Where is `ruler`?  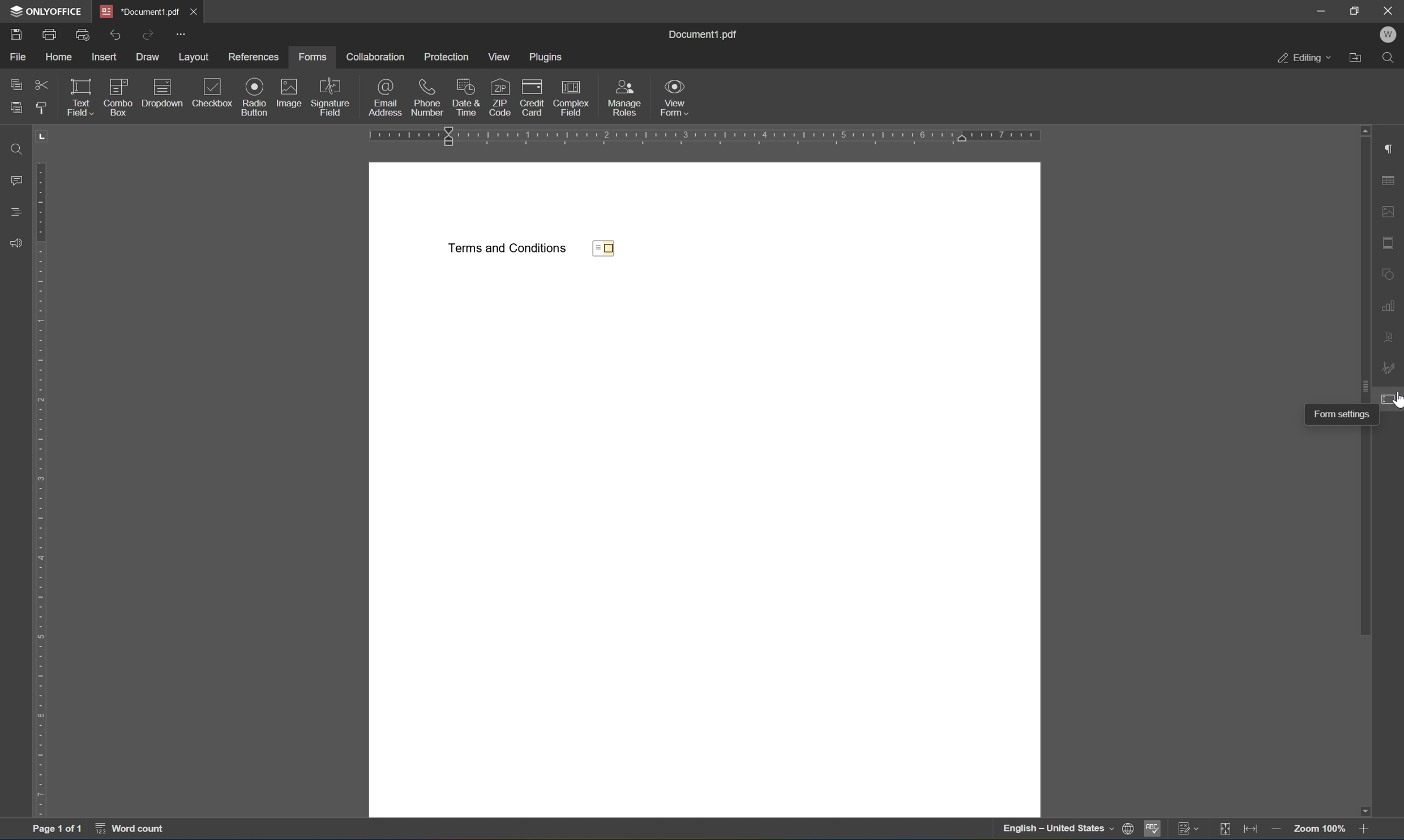
ruler is located at coordinates (710, 134).